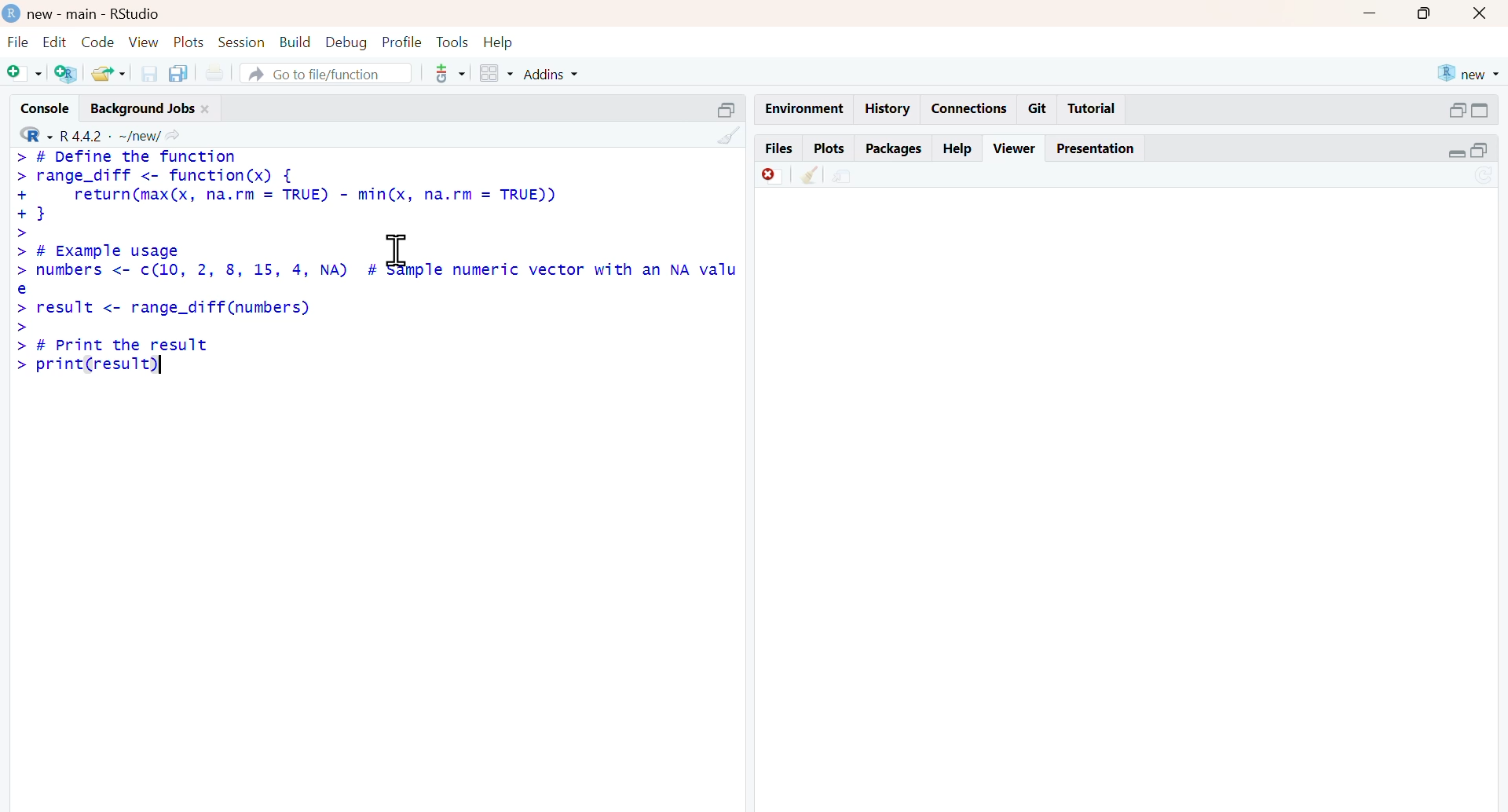  What do you see at coordinates (778, 149) in the screenshot?
I see `files` at bounding box center [778, 149].